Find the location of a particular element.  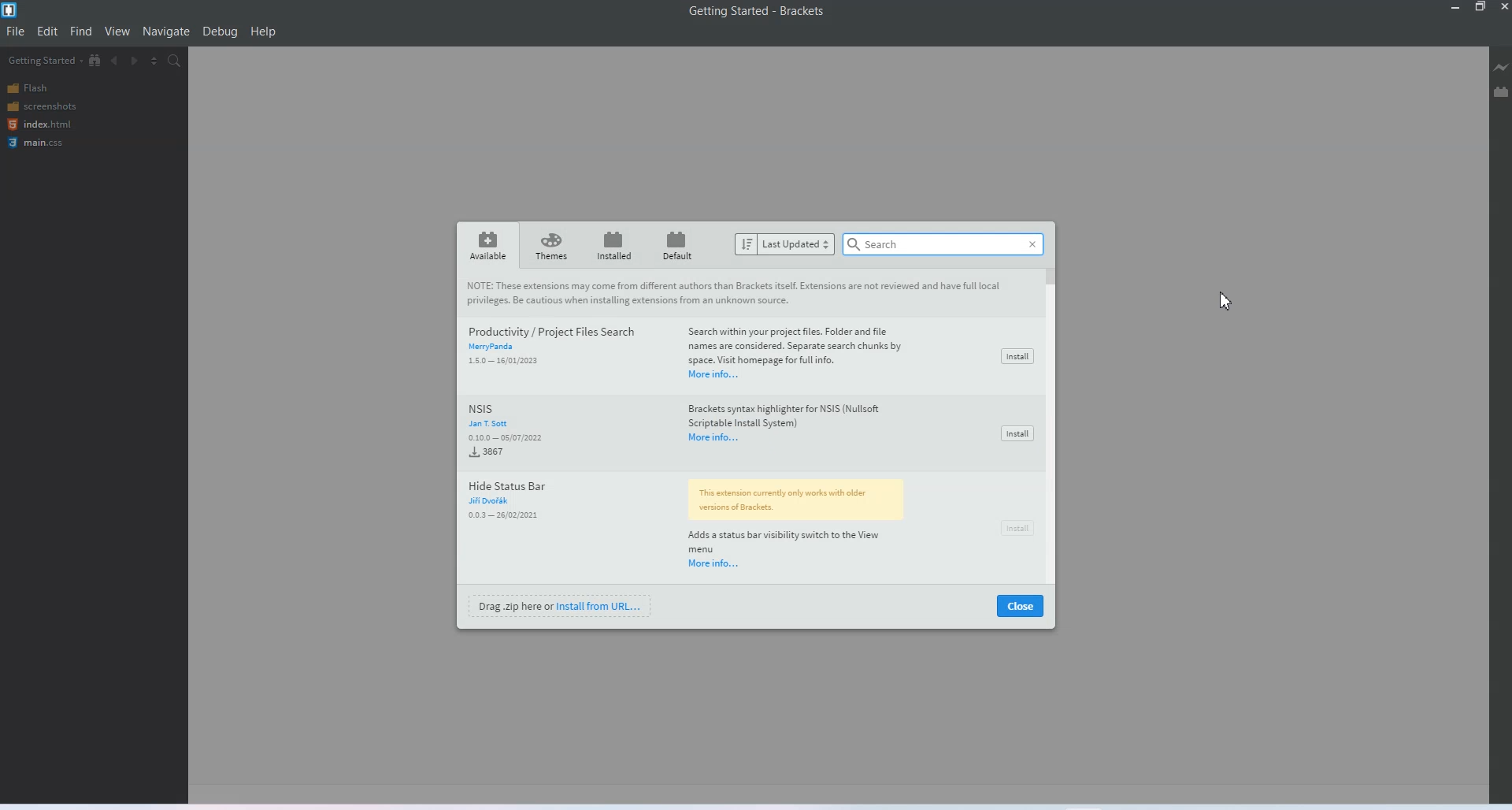

Results is located at coordinates (732, 437).